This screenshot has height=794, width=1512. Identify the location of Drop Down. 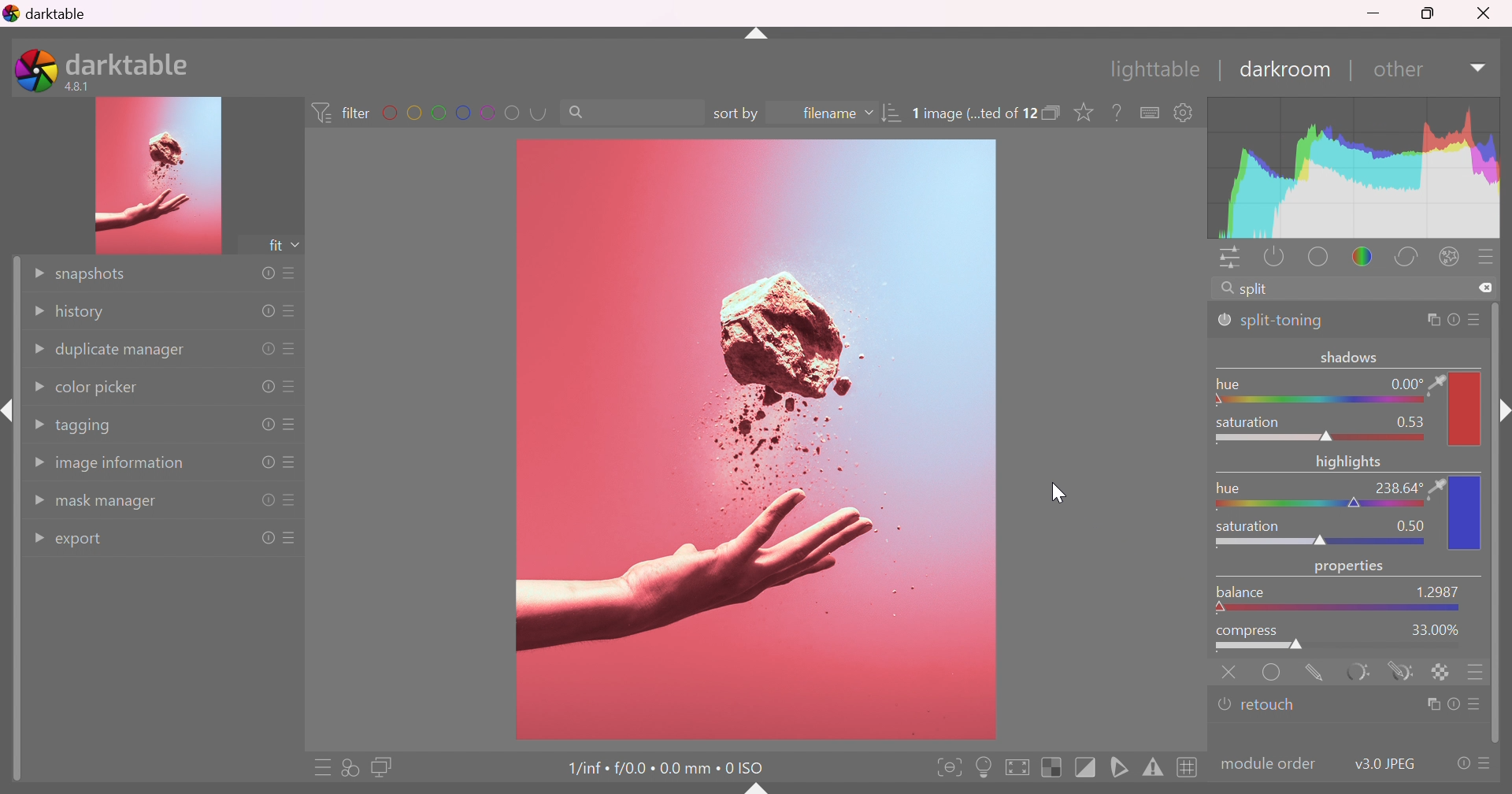
(37, 313).